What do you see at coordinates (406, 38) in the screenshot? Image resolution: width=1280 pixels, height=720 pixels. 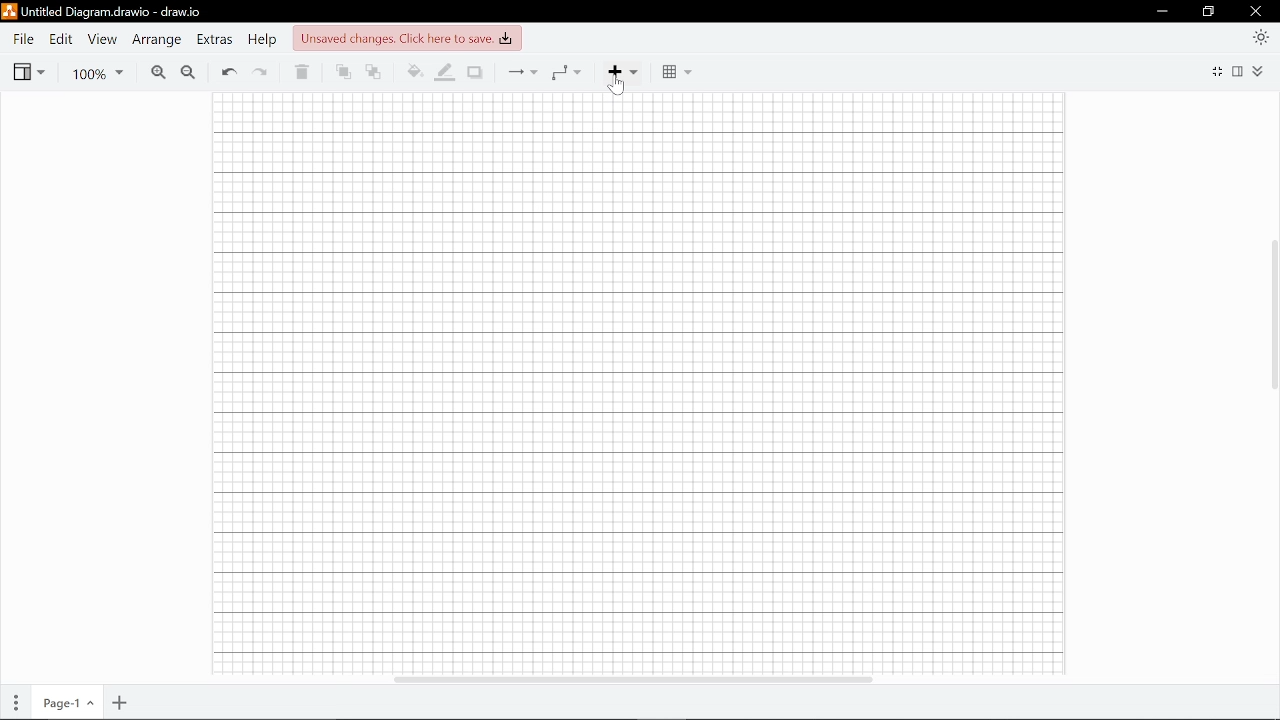 I see `unsaved changes. click here to save` at bounding box center [406, 38].